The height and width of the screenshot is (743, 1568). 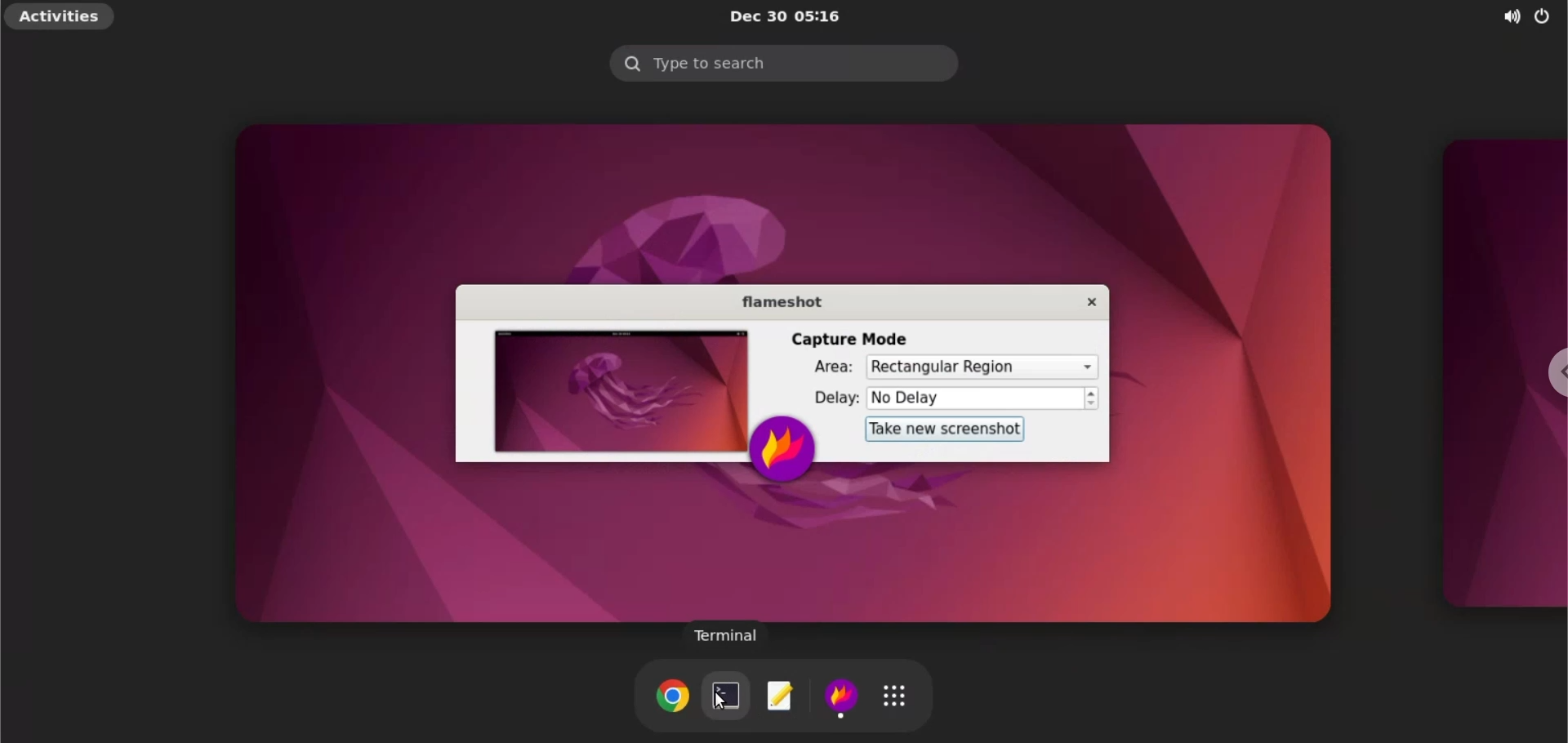 I want to click on notepad, so click(x=780, y=699).